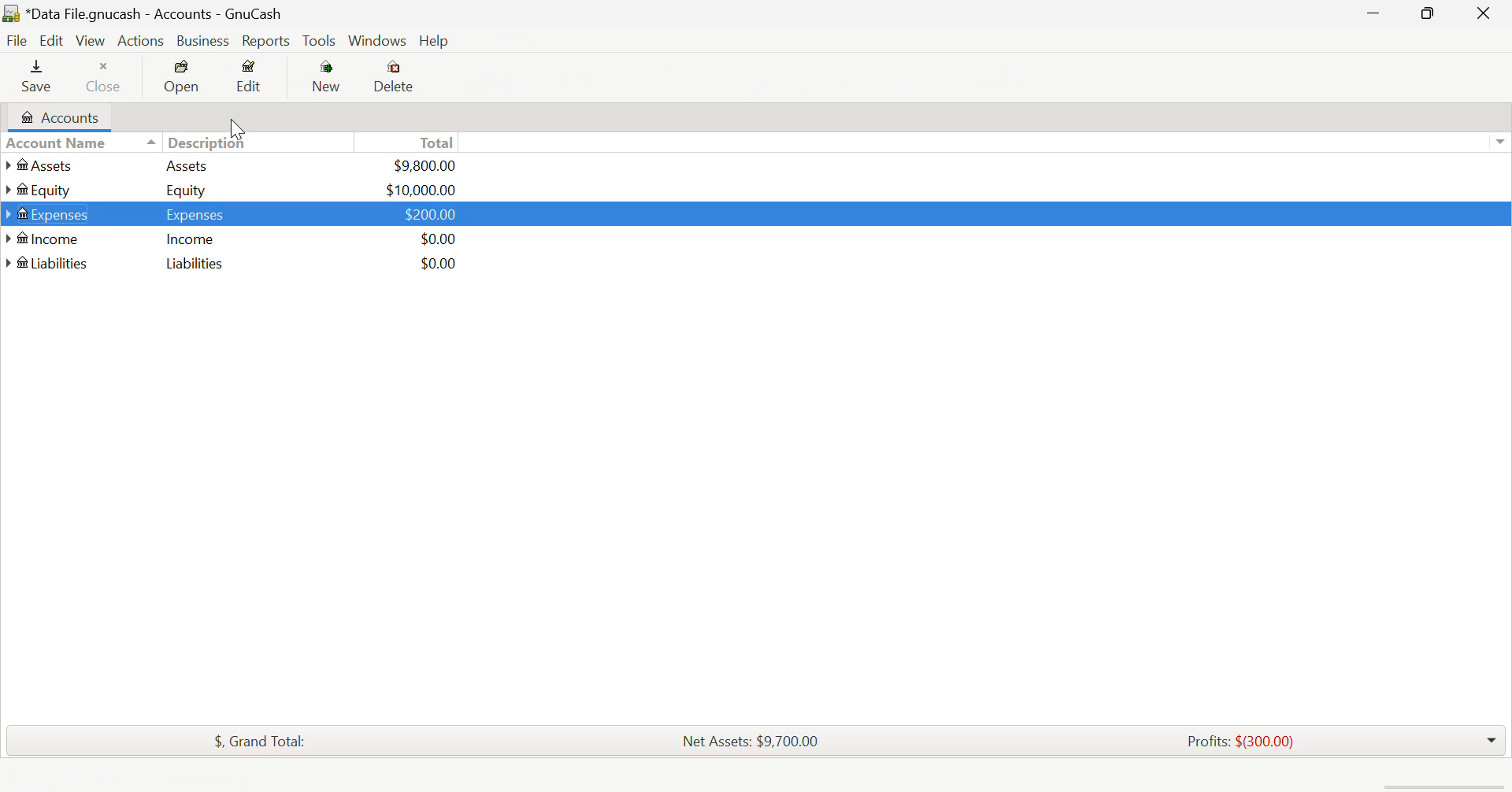 The height and width of the screenshot is (792, 1512). Describe the element at coordinates (52, 41) in the screenshot. I see `Edit` at that location.